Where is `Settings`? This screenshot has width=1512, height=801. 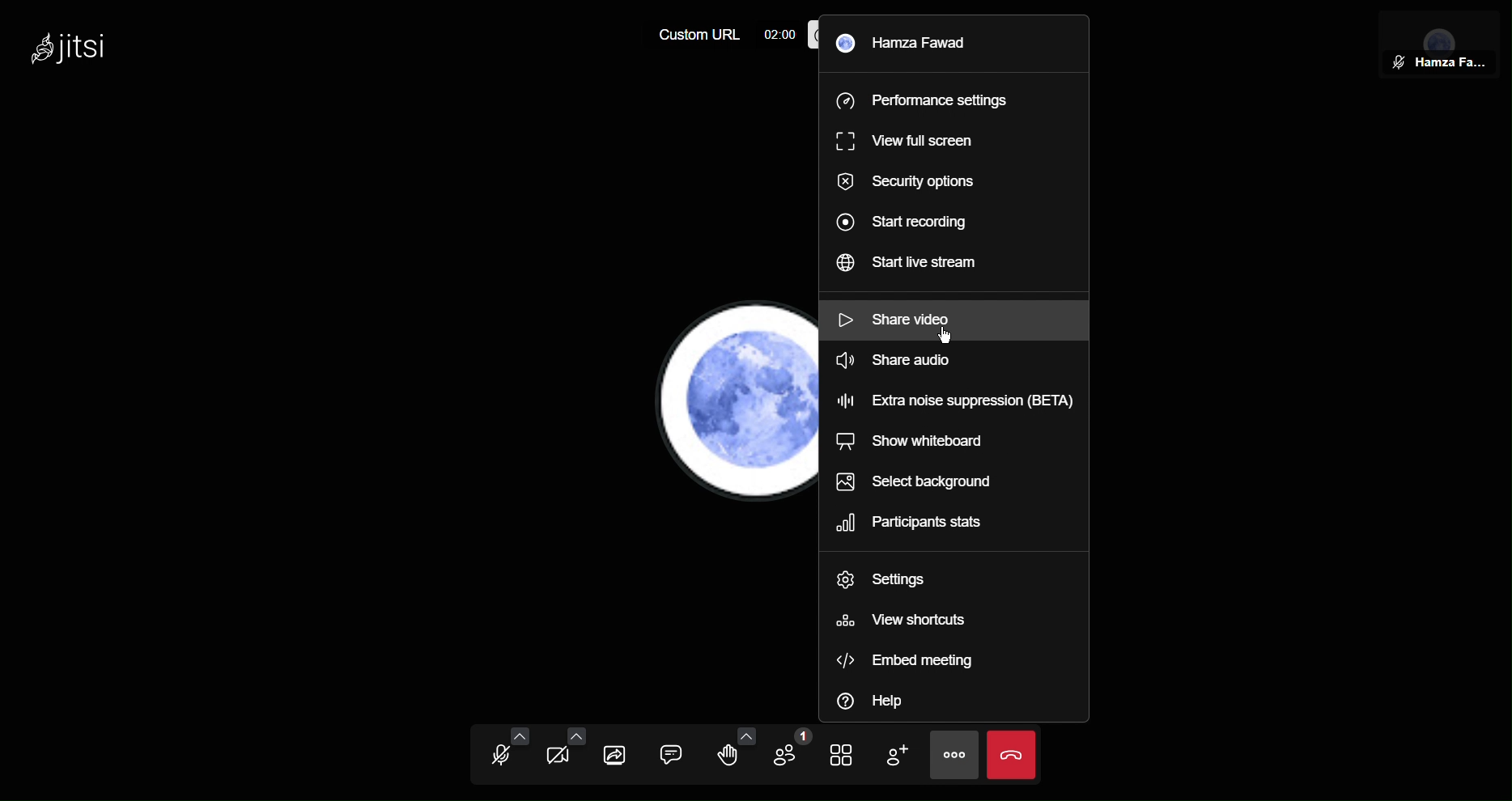 Settings is located at coordinates (883, 580).